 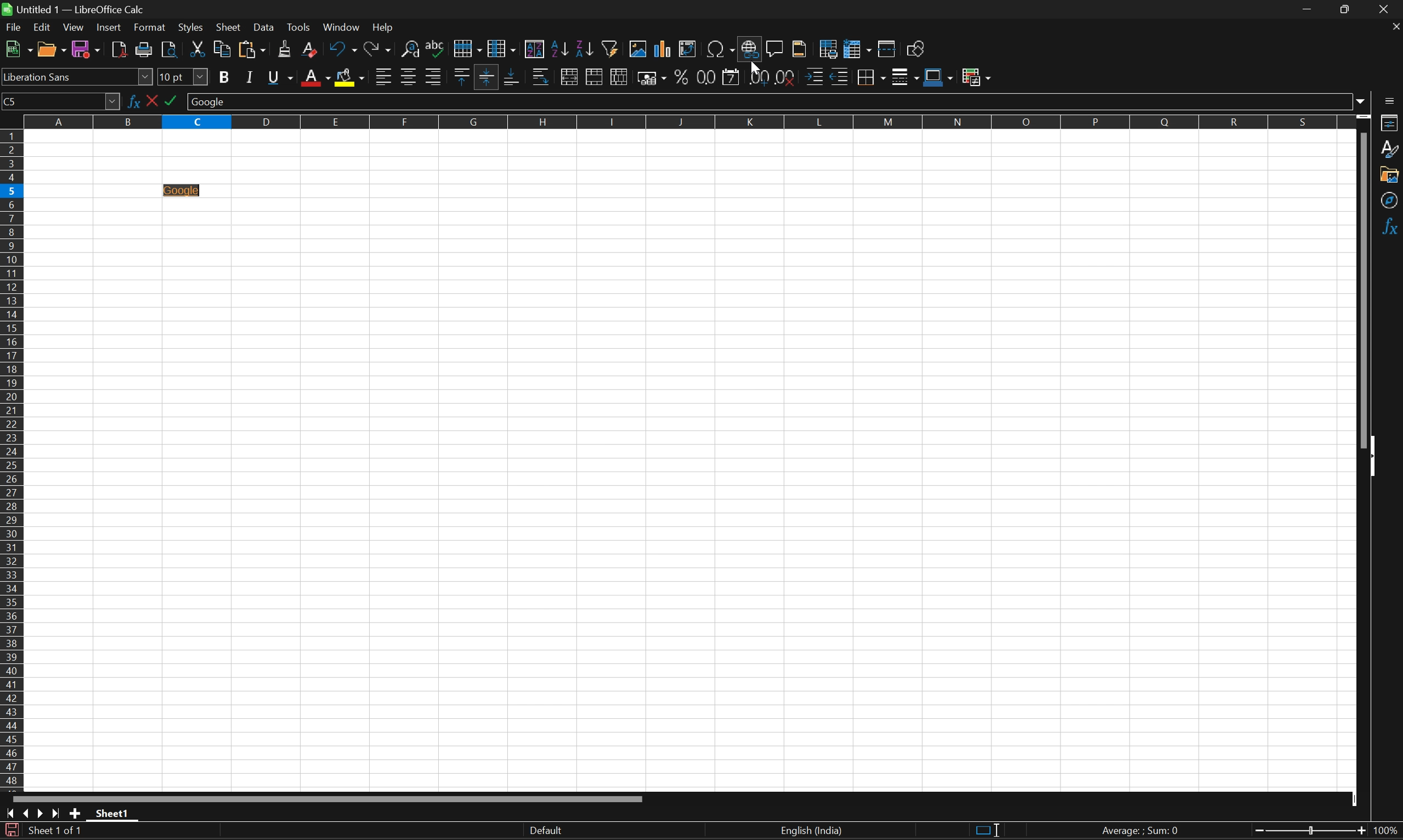 What do you see at coordinates (815, 76) in the screenshot?
I see `Increase indent` at bounding box center [815, 76].